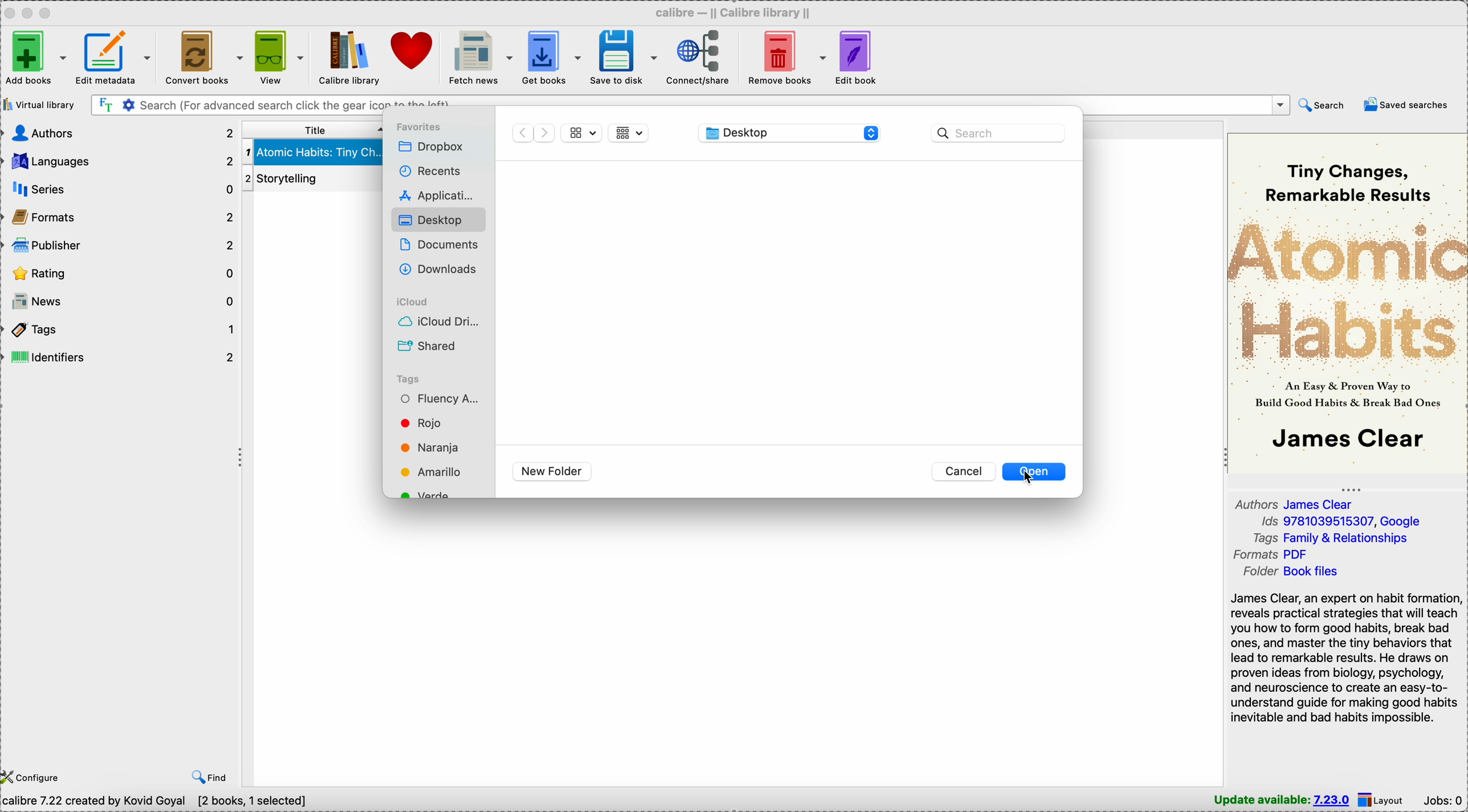 The width and height of the screenshot is (1468, 812). I want to click on iCloud drive, so click(441, 324).